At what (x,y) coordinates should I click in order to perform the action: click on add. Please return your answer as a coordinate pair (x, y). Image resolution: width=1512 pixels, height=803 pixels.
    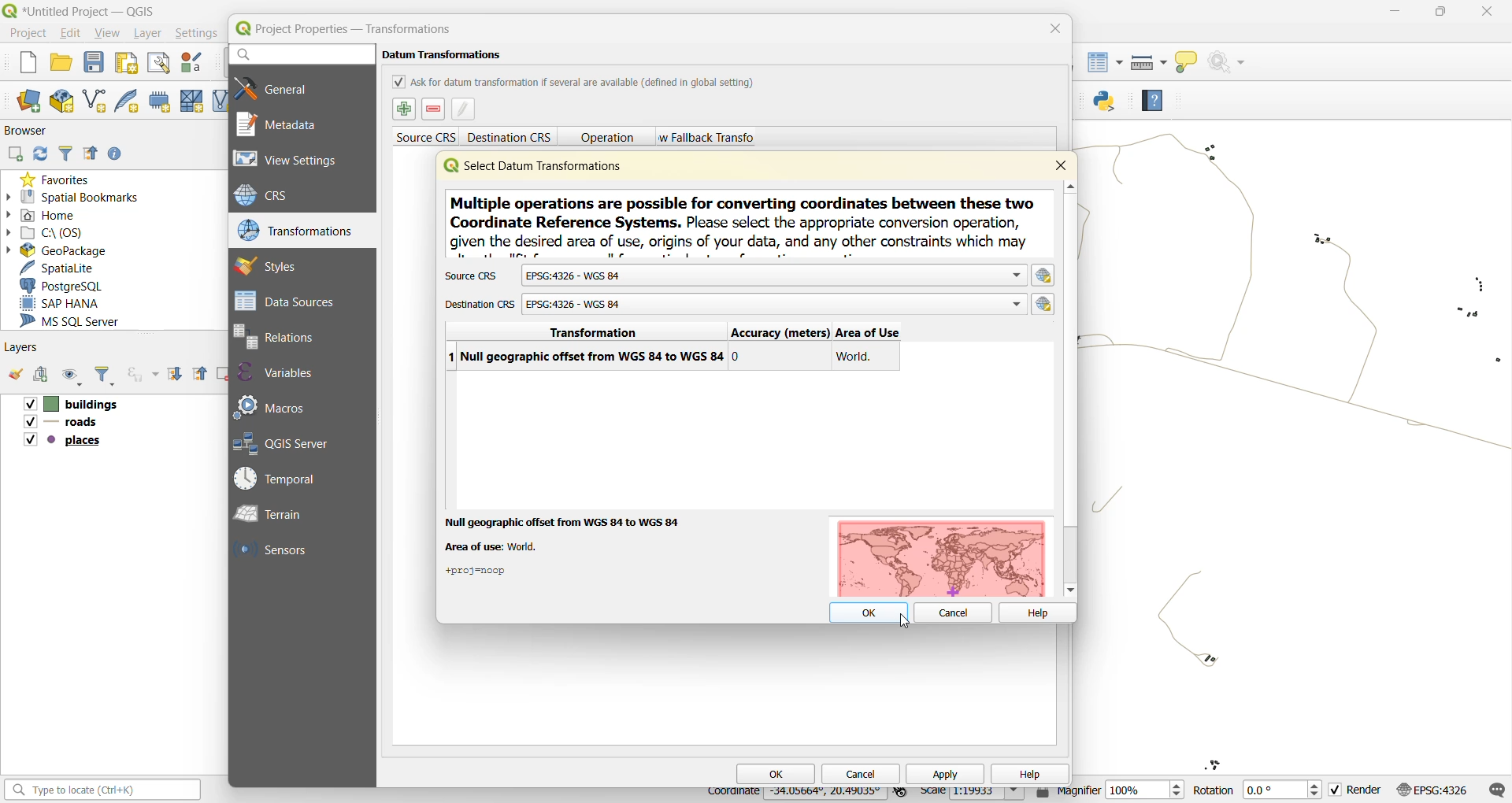
    Looking at the image, I should click on (14, 155).